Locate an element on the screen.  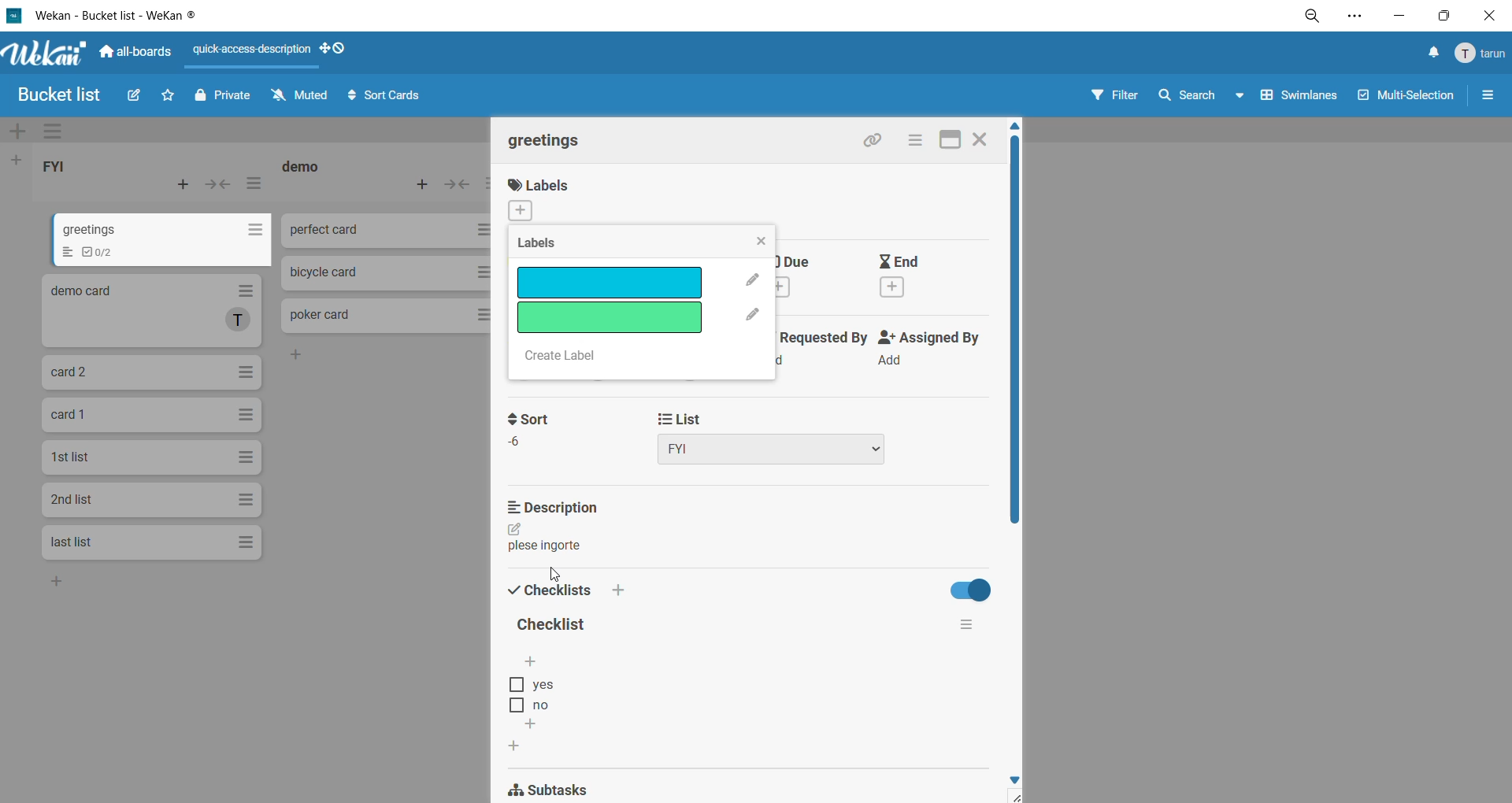
last list is located at coordinates (155, 544).